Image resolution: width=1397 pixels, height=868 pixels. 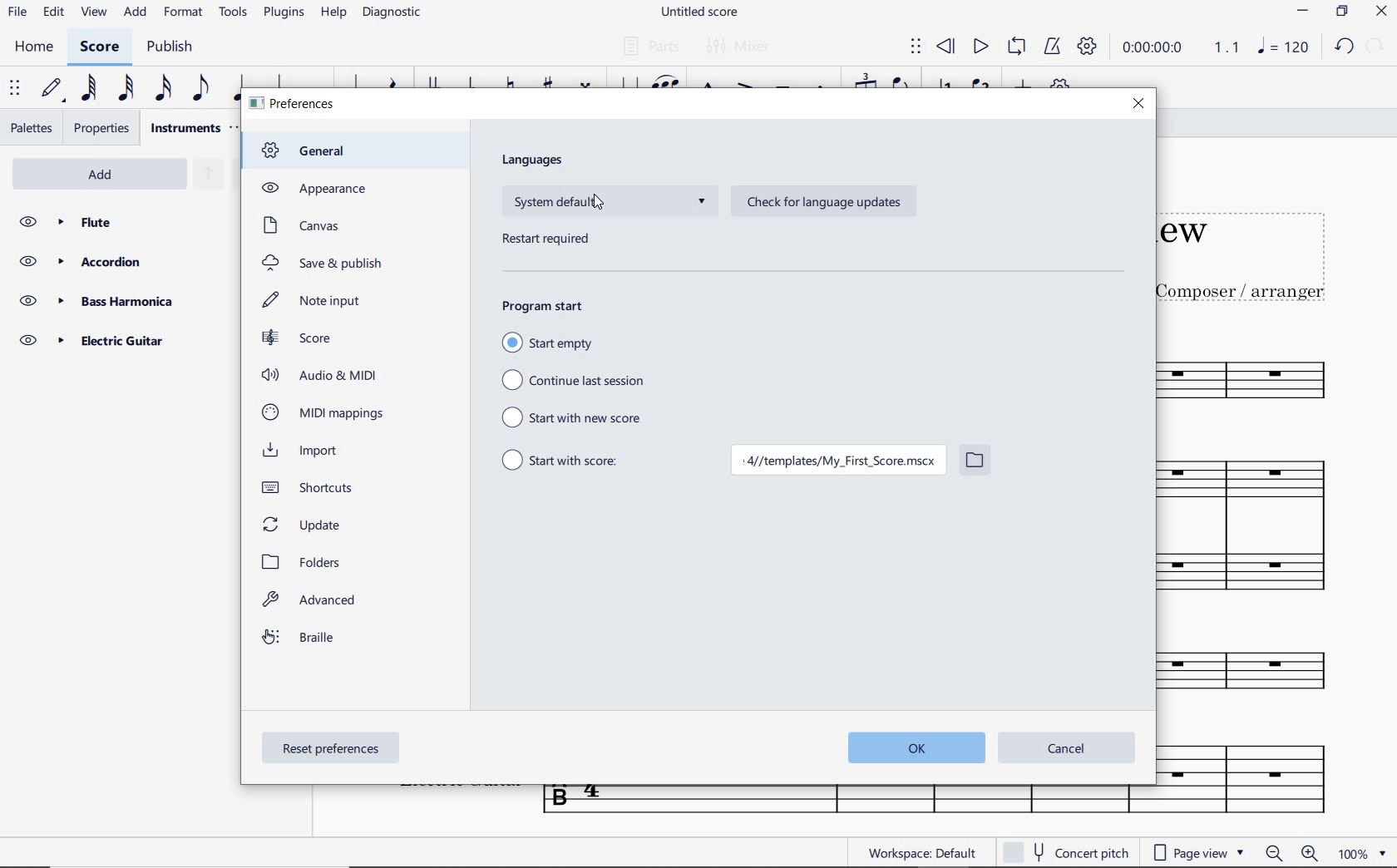 I want to click on zoom in or zoom out, so click(x=1289, y=852).